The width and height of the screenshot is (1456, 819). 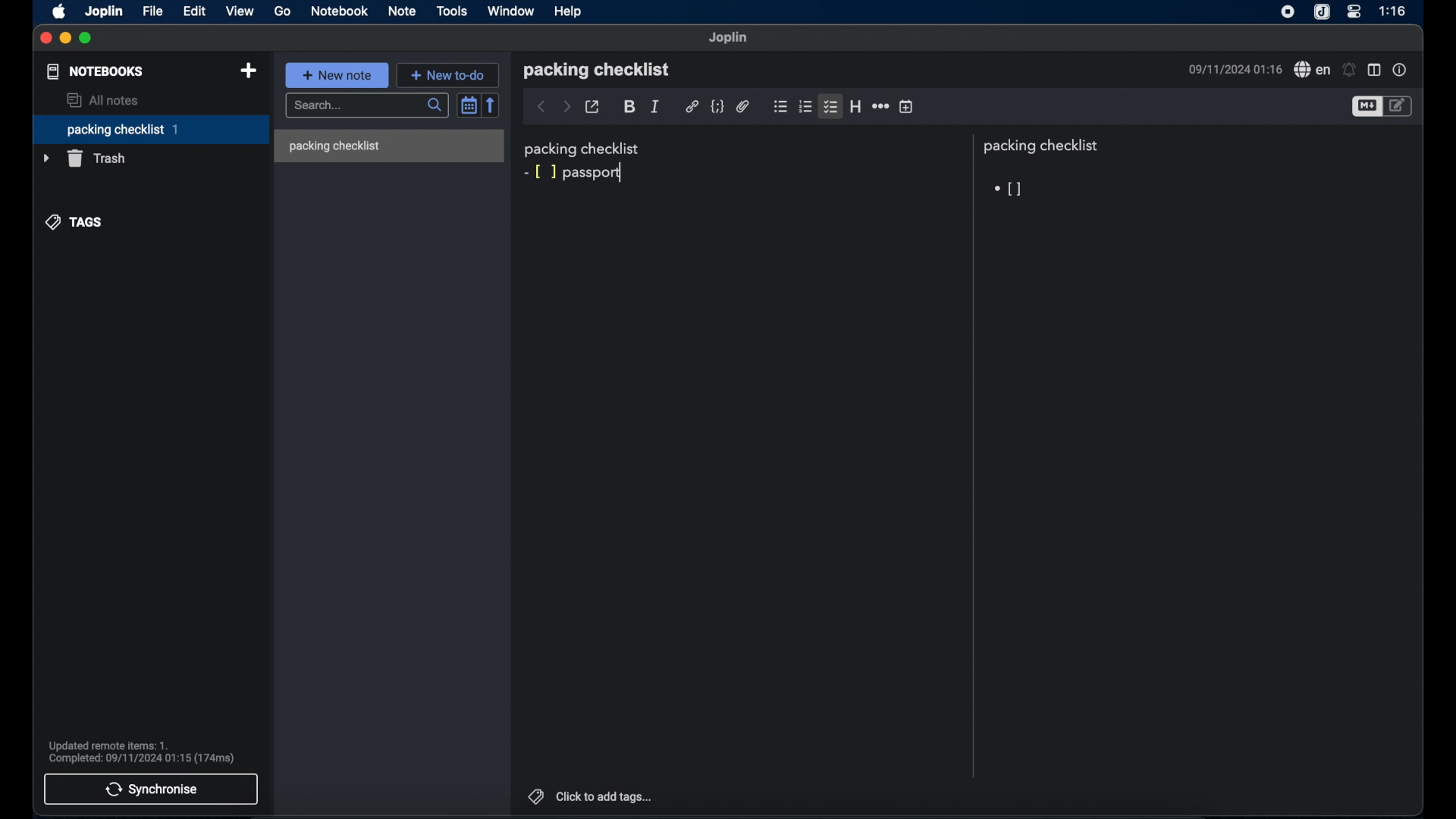 I want to click on packing checklist, so click(x=334, y=146).